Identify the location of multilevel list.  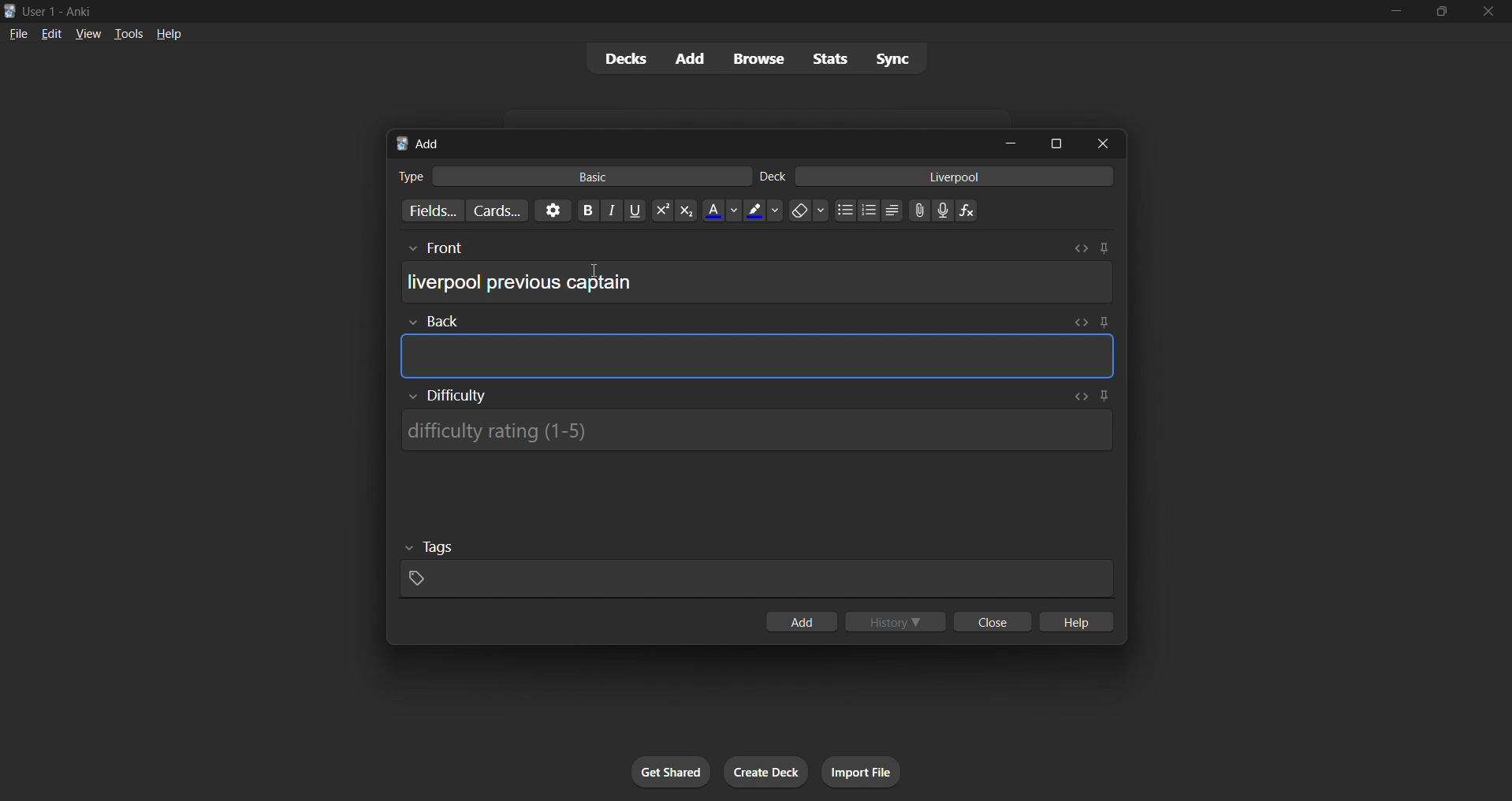
(893, 212).